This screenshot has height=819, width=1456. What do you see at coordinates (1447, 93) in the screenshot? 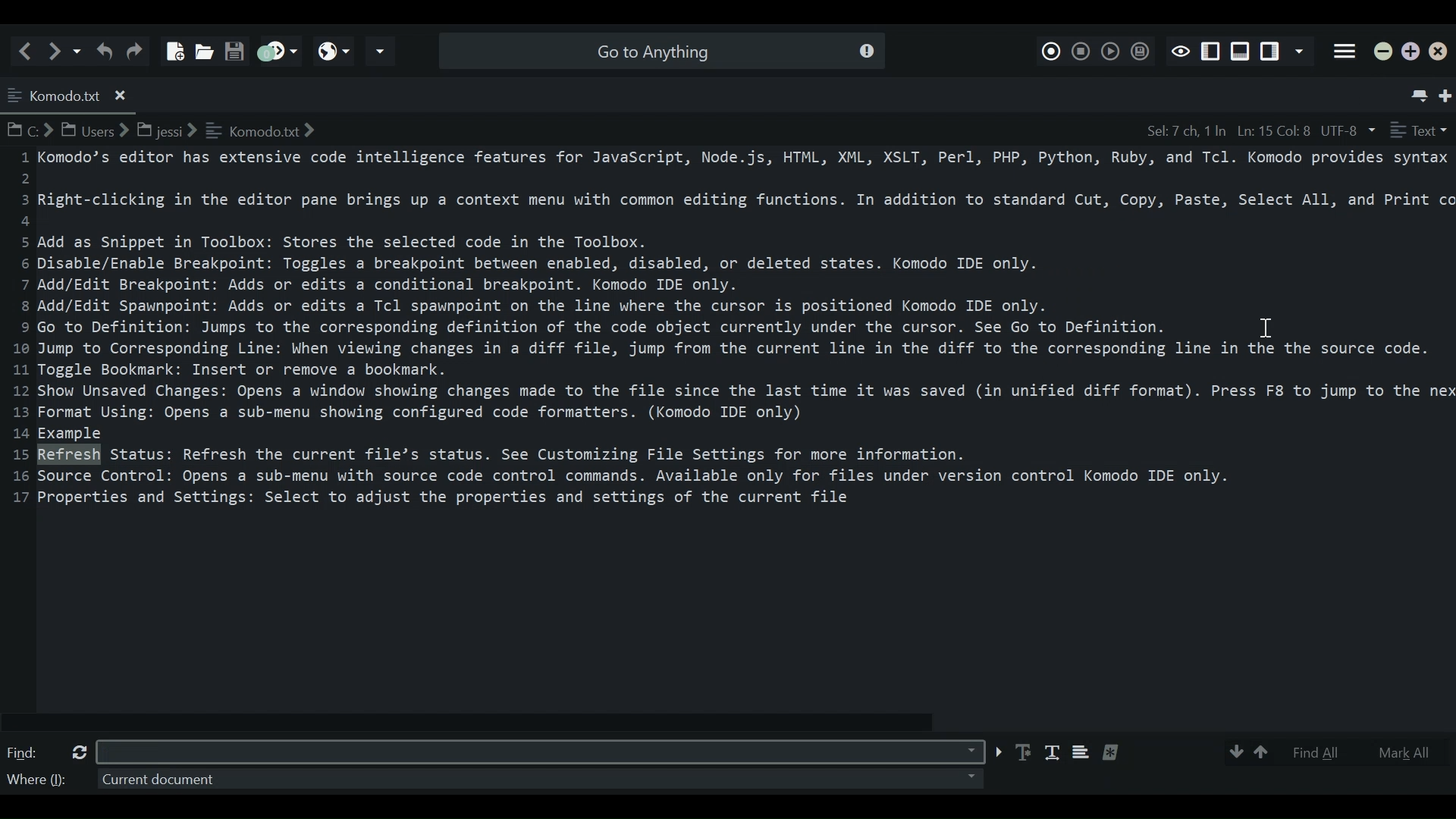
I see `New Tab` at bounding box center [1447, 93].